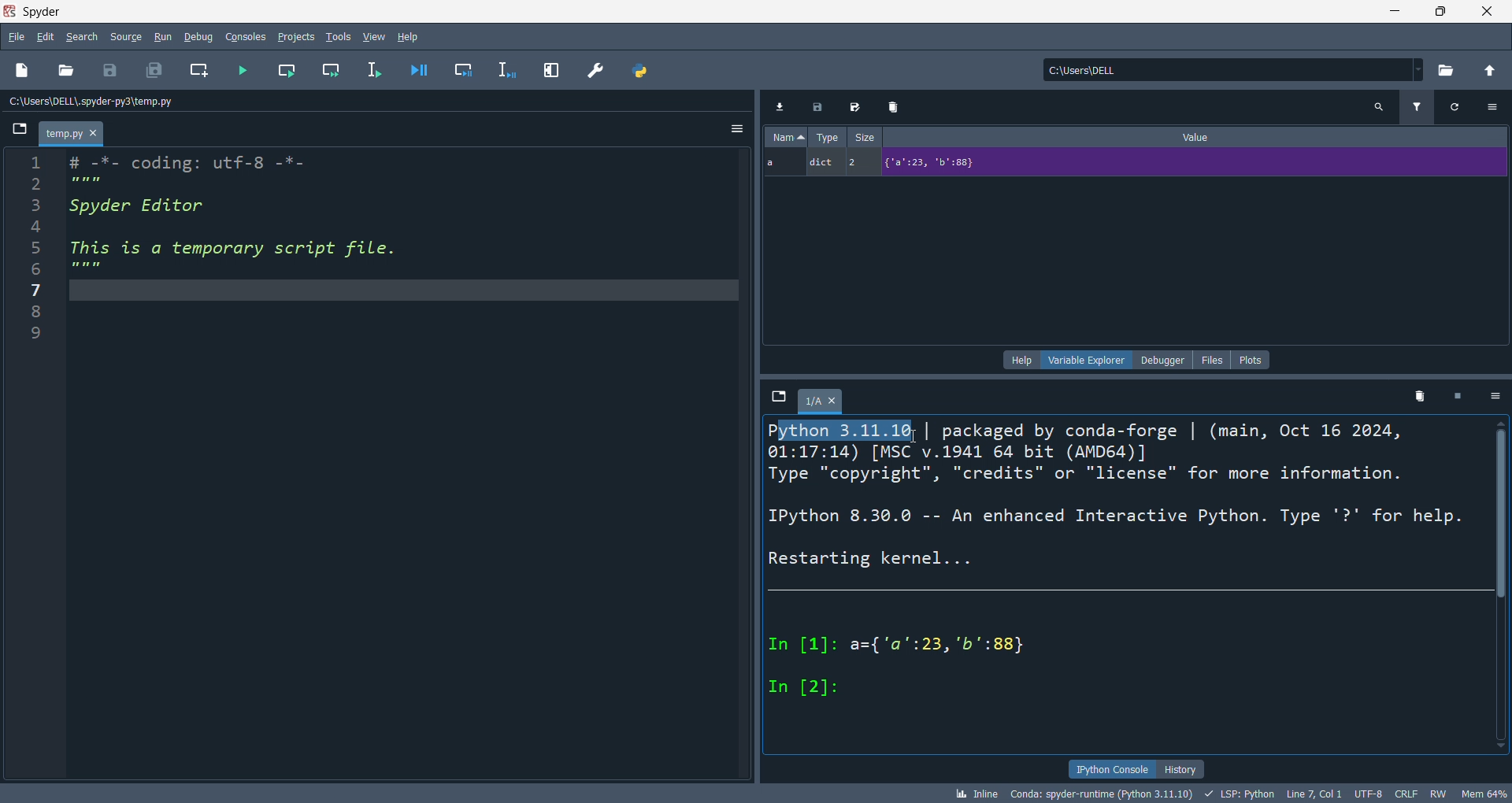 This screenshot has height=803, width=1512. What do you see at coordinates (202, 71) in the screenshot?
I see `new cell` at bounding box center [202, 71].